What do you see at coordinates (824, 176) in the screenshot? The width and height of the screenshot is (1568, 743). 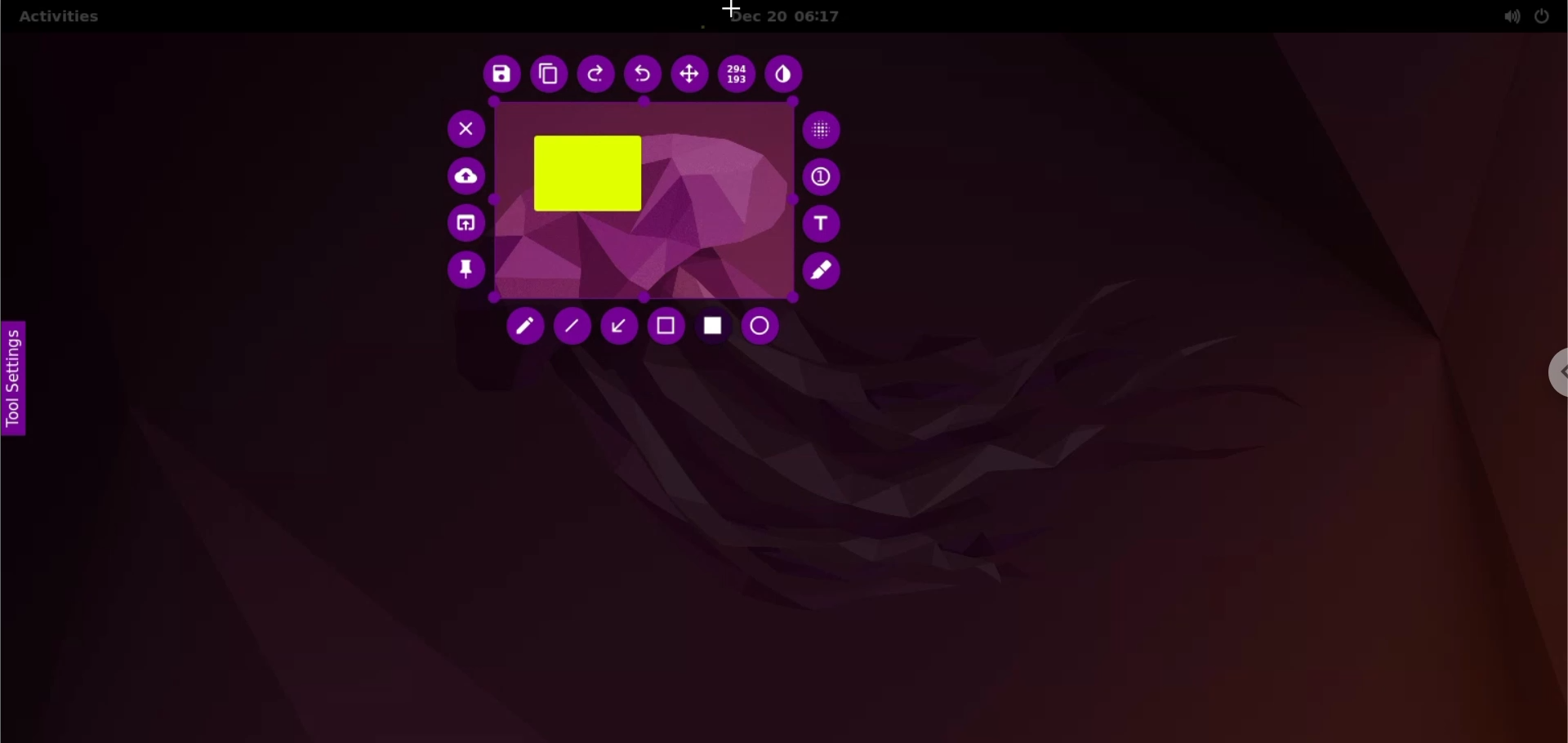 I see `auto increment` at bounding box center [824, 176].